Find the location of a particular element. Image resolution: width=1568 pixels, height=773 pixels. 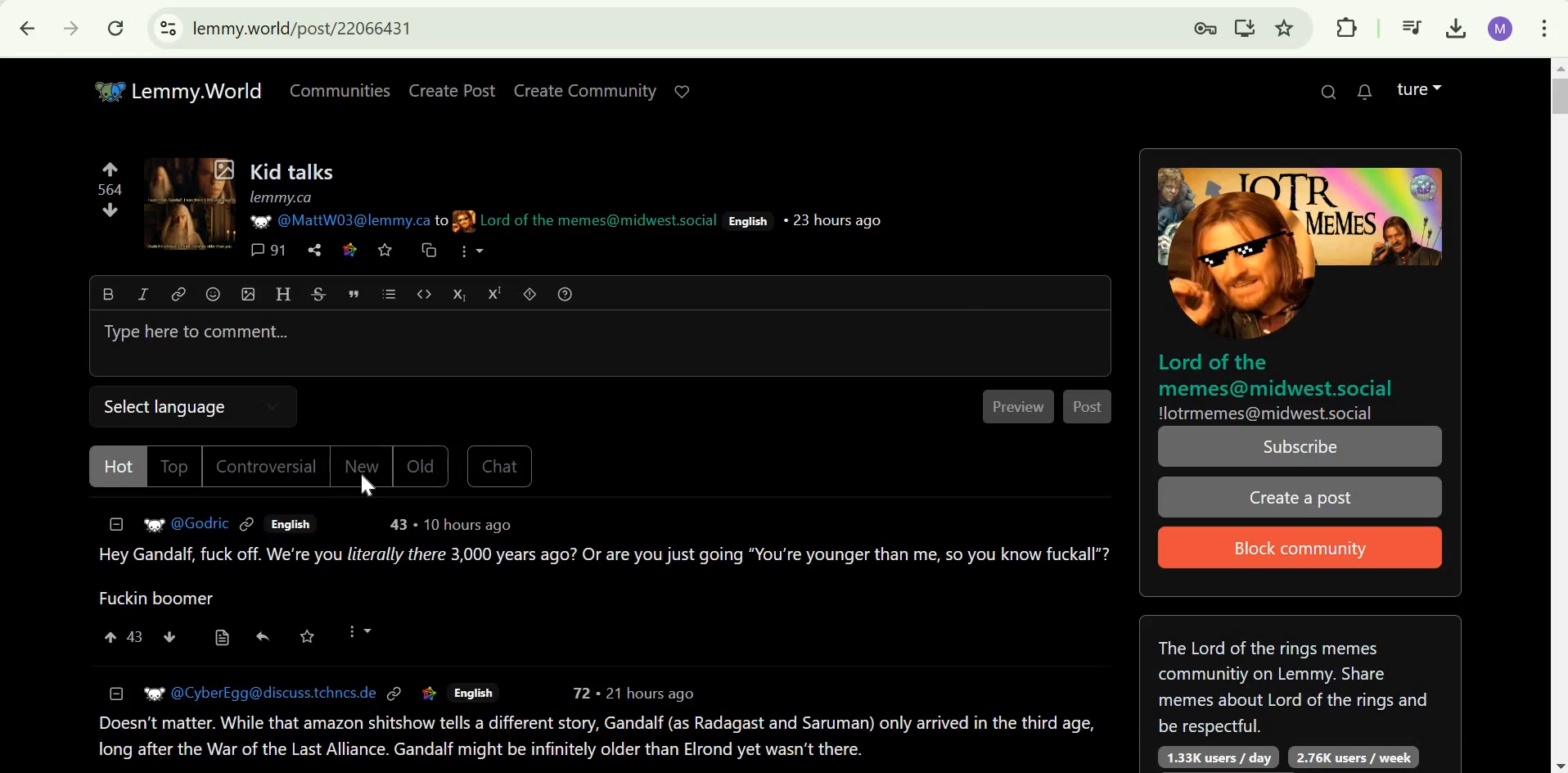

Extensions is located at coordinates (1347, 27).